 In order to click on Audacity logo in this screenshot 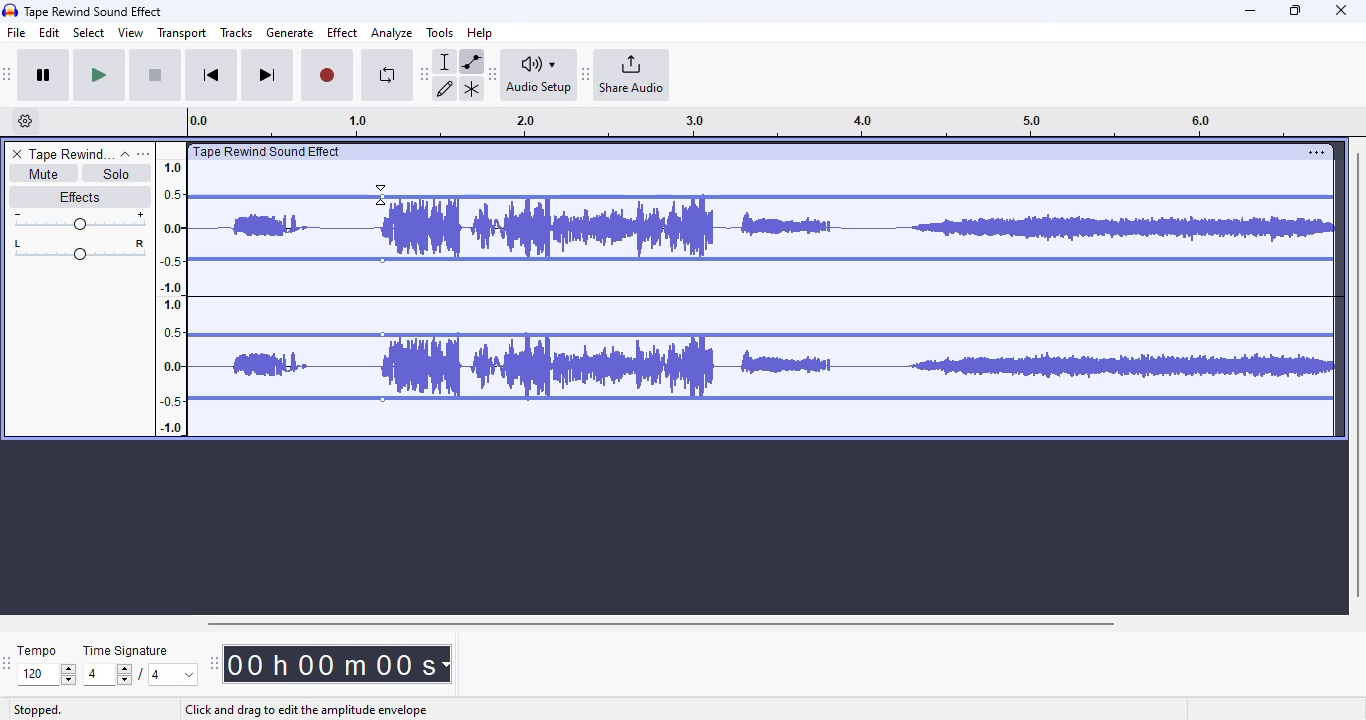, I will do `click(10, 11)`.